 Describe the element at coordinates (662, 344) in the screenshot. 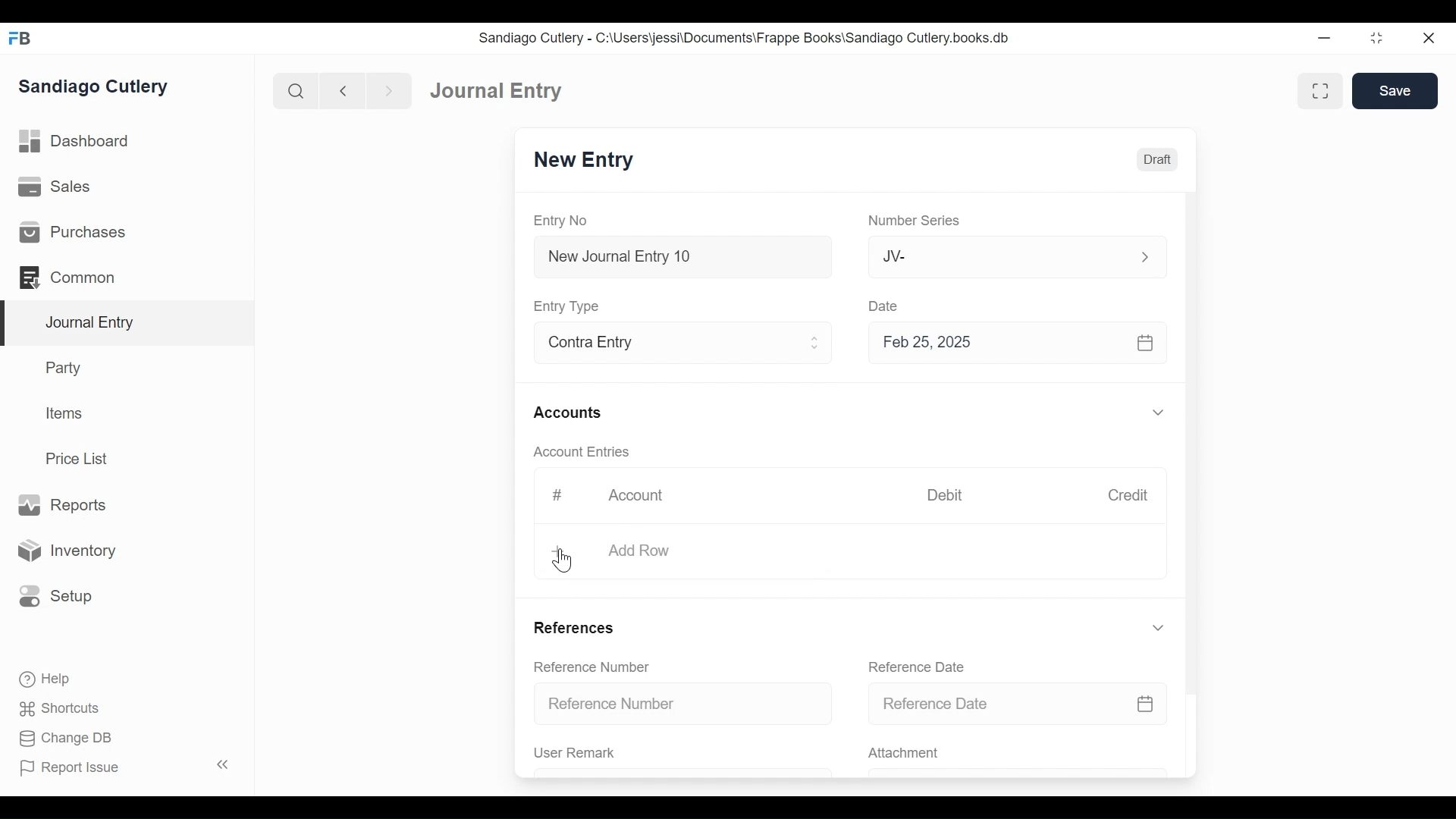

I see `Contra Entry` at that location.